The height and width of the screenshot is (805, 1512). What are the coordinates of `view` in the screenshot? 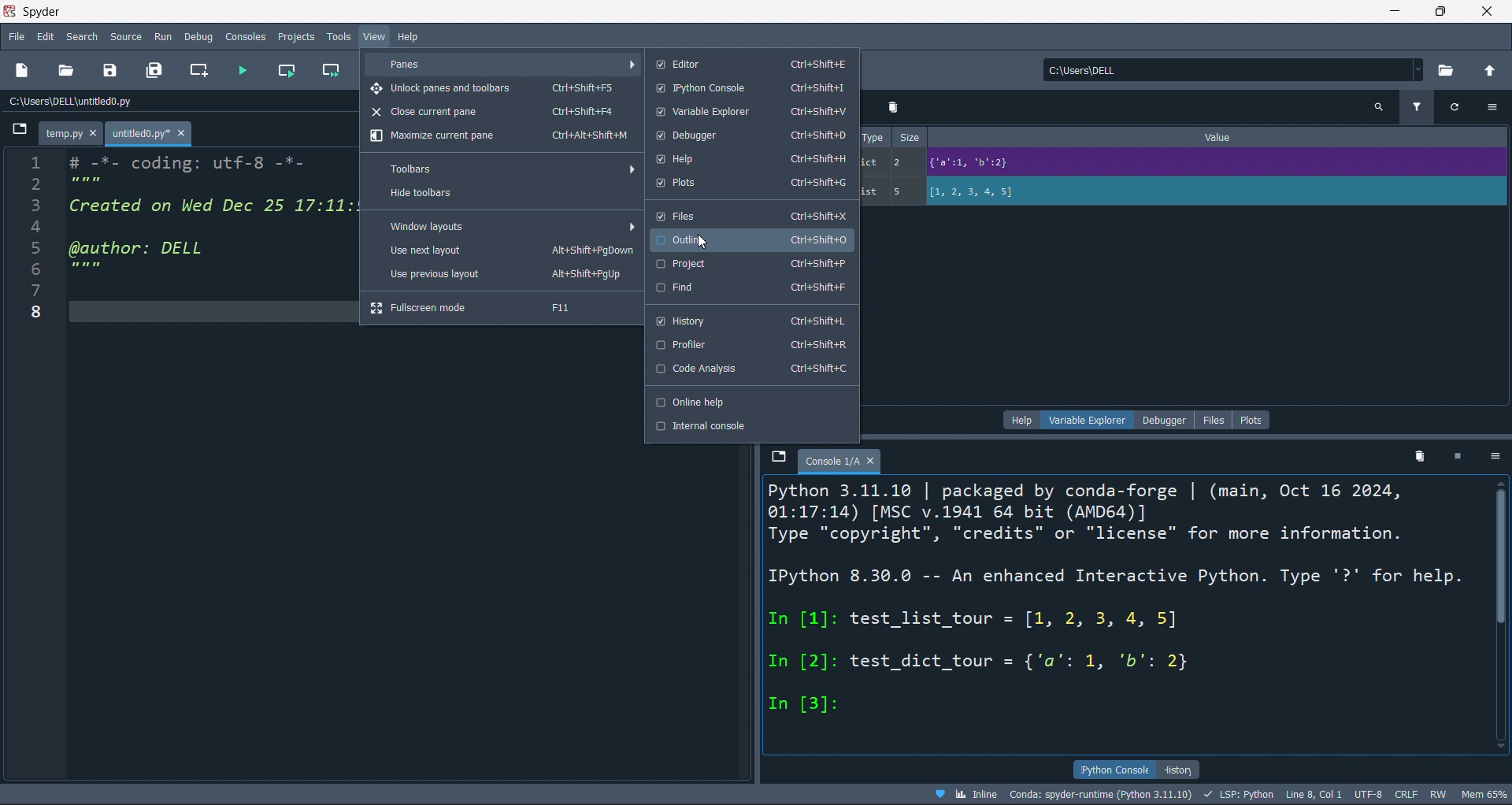 It's located at (372, 35).